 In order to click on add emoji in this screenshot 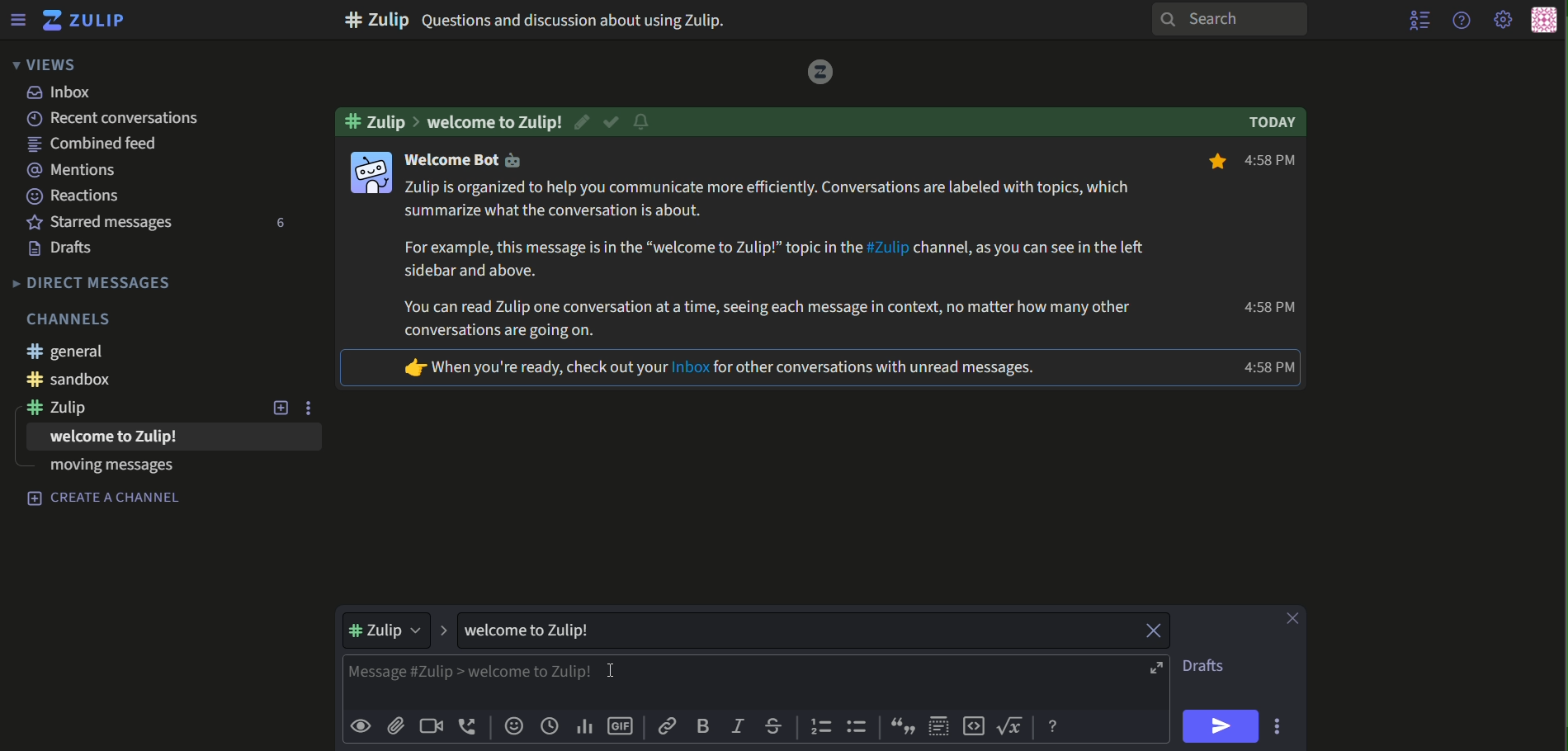, I will do `click(512, 727)`.